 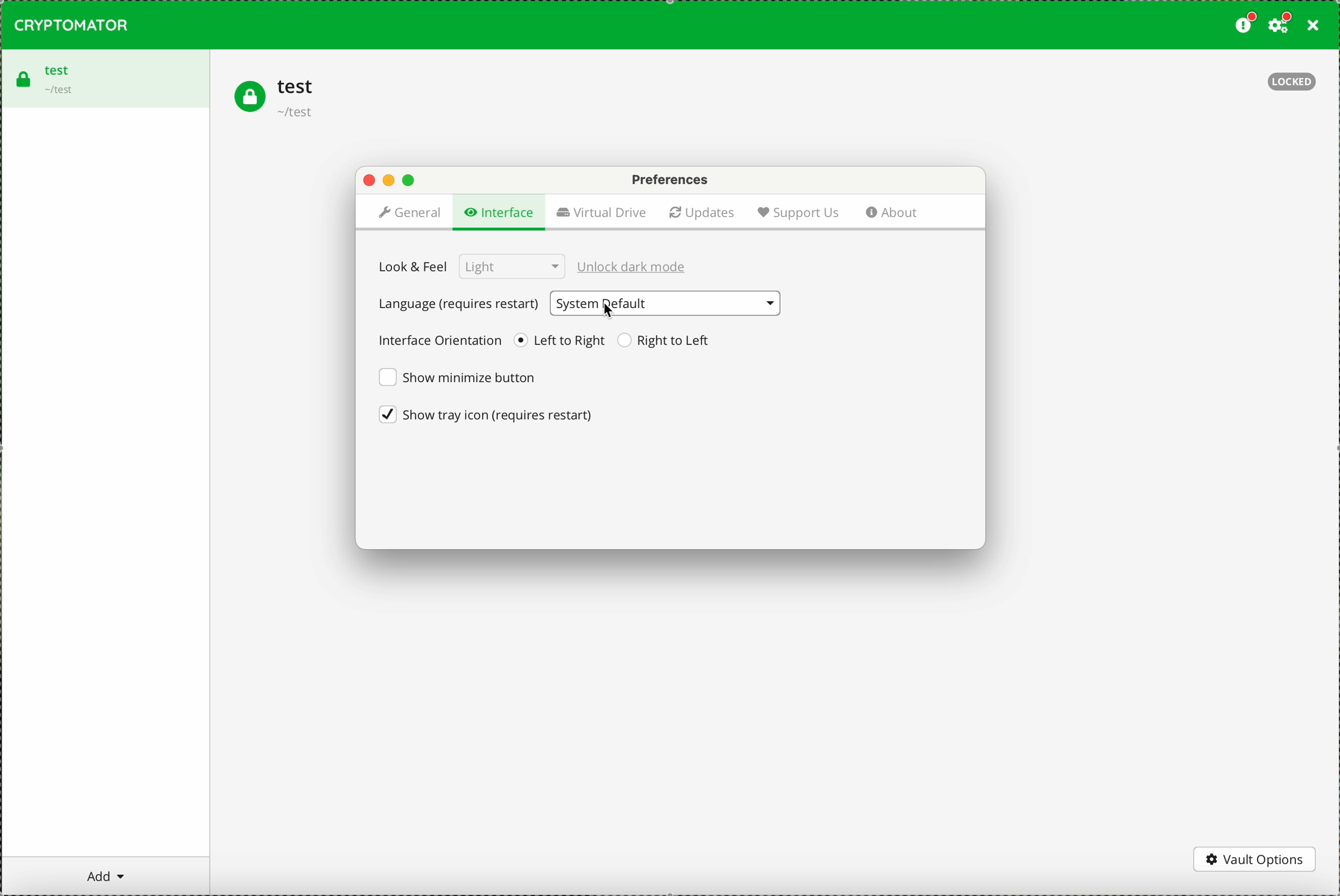 I want to click on cursor, so click(x=611, y=314).